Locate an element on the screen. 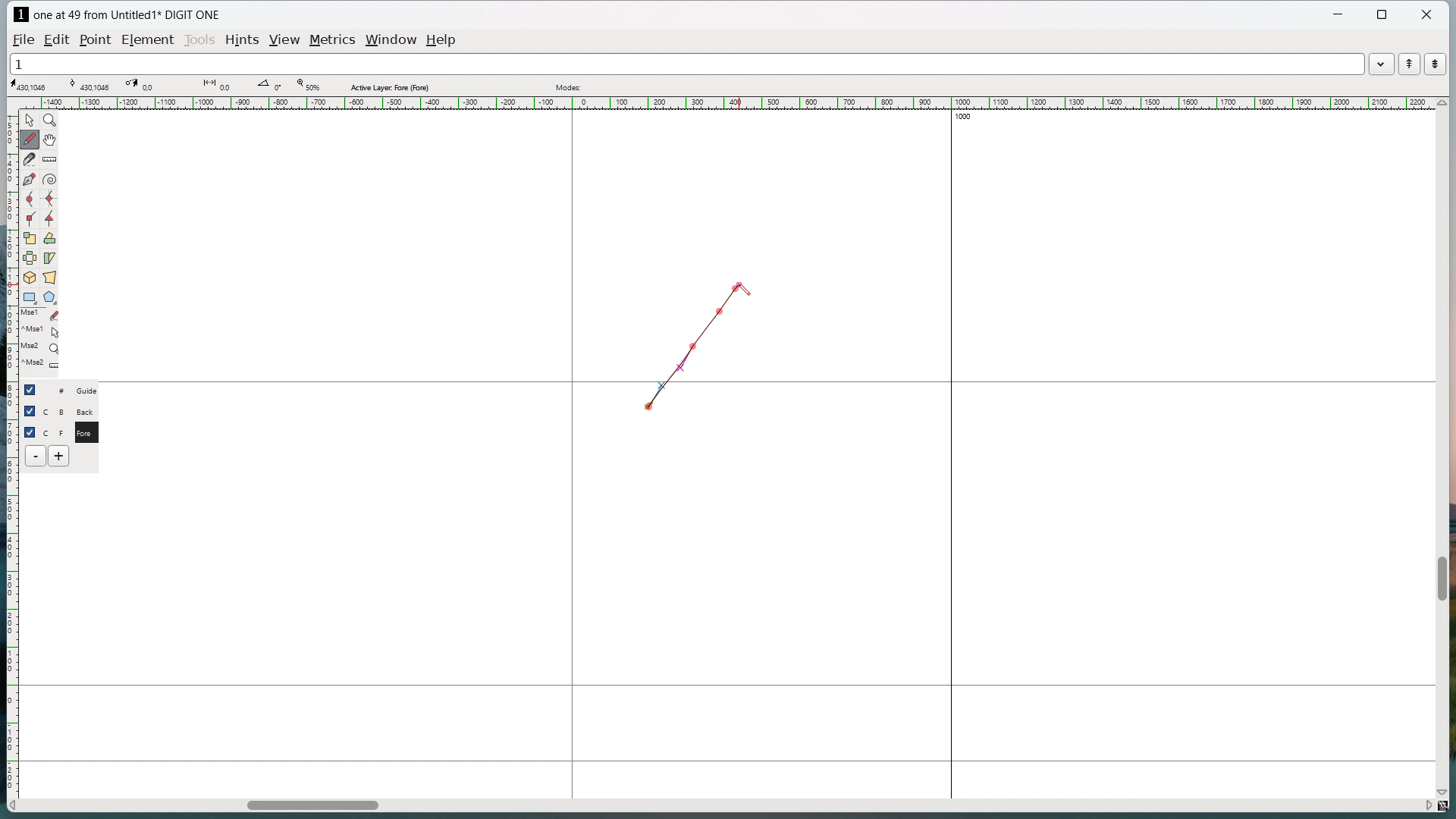 This screenshot has height=819, width=1456. skew selection is located at coordinates (50, 258).